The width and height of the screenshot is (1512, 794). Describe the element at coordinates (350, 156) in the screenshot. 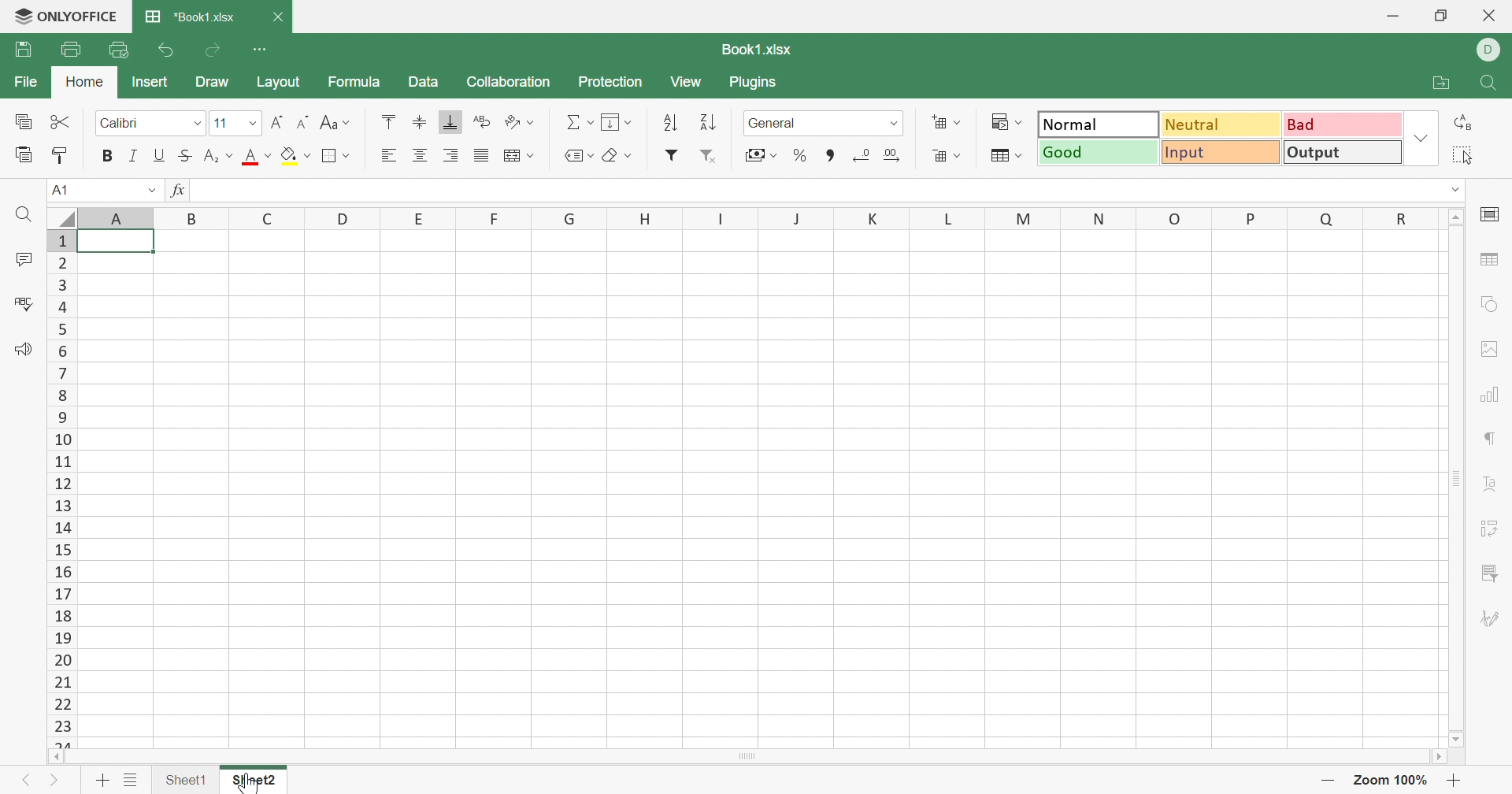

I see `Drop Down` at that location.